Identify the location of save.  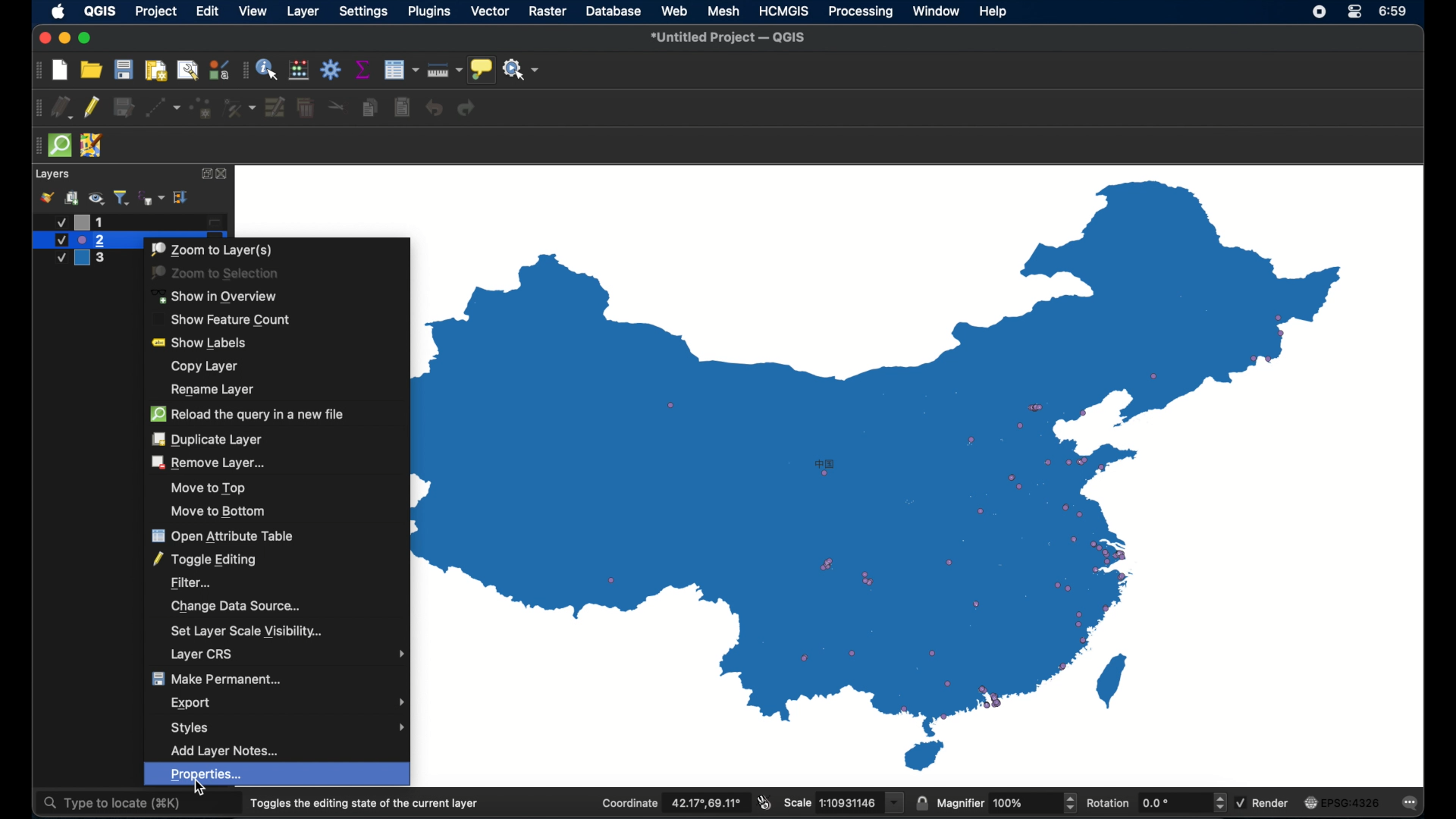
(124, 69).